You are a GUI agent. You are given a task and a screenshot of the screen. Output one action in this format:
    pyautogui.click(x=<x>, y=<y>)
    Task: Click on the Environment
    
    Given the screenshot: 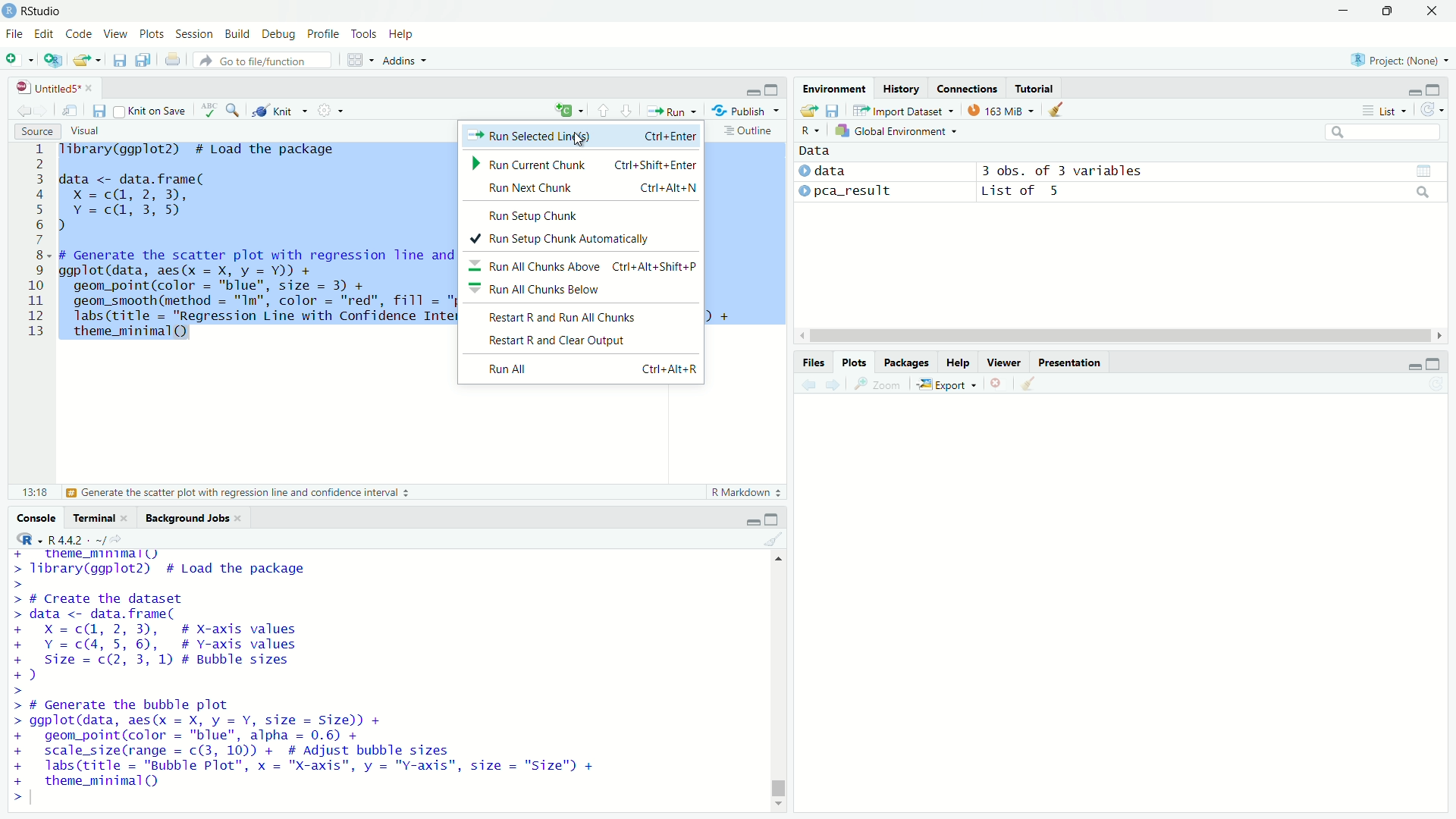 What is the action you would take?
    pyautogui.click(x=834, y=87)
    